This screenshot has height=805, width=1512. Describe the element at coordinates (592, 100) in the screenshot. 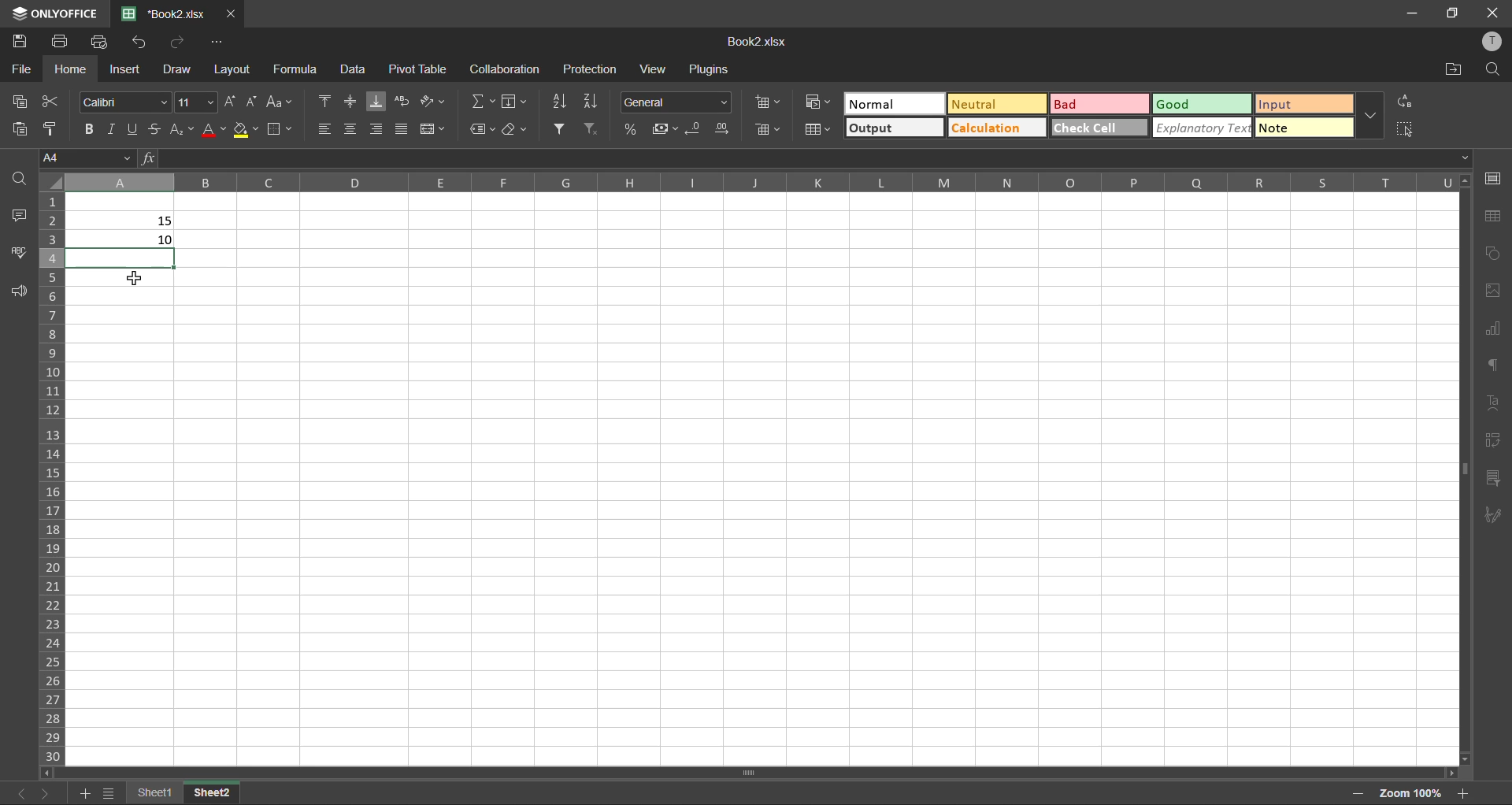

I see `sort descending` at that location.